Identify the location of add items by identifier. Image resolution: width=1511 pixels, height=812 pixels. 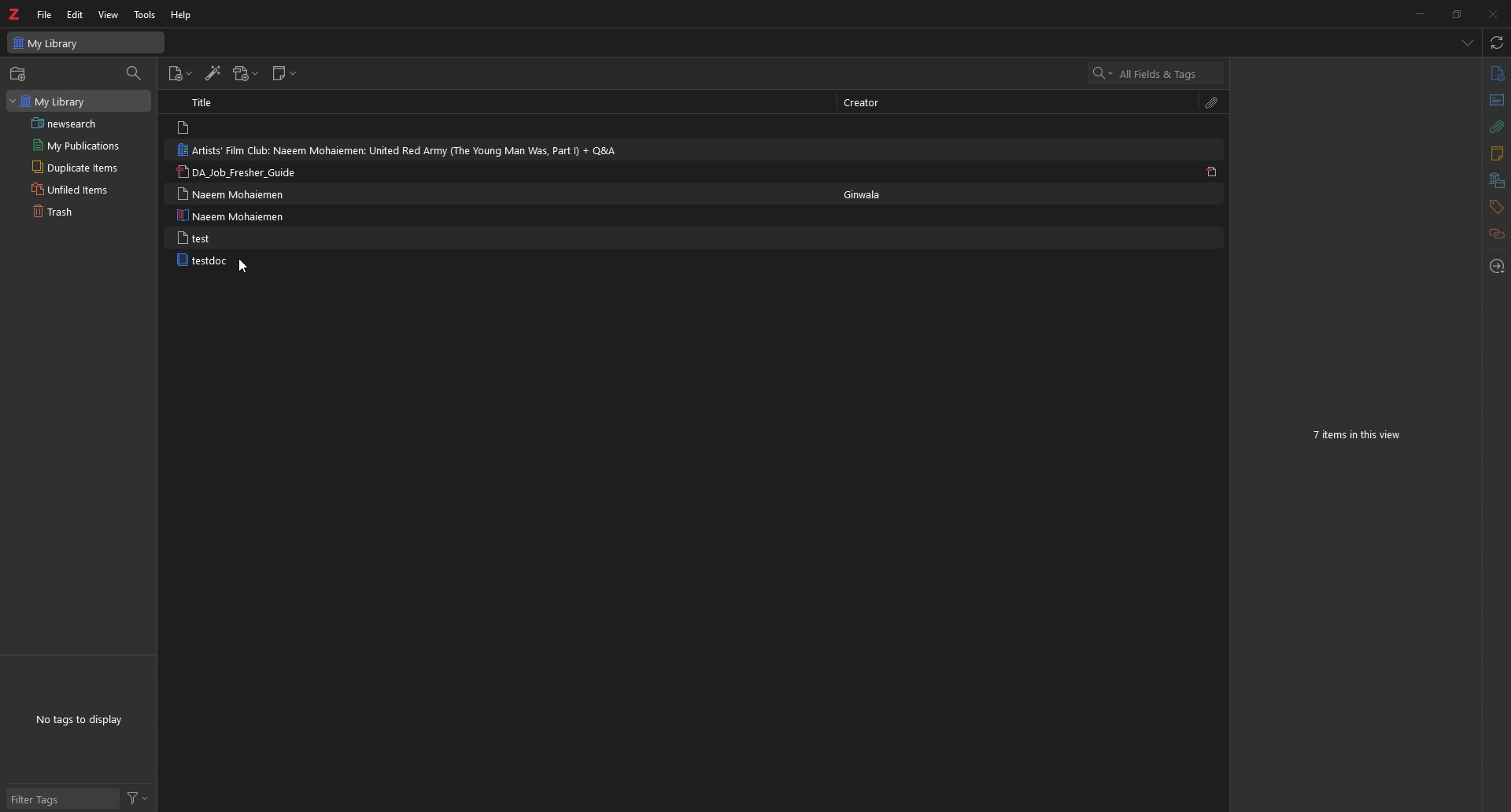
(212, 74).